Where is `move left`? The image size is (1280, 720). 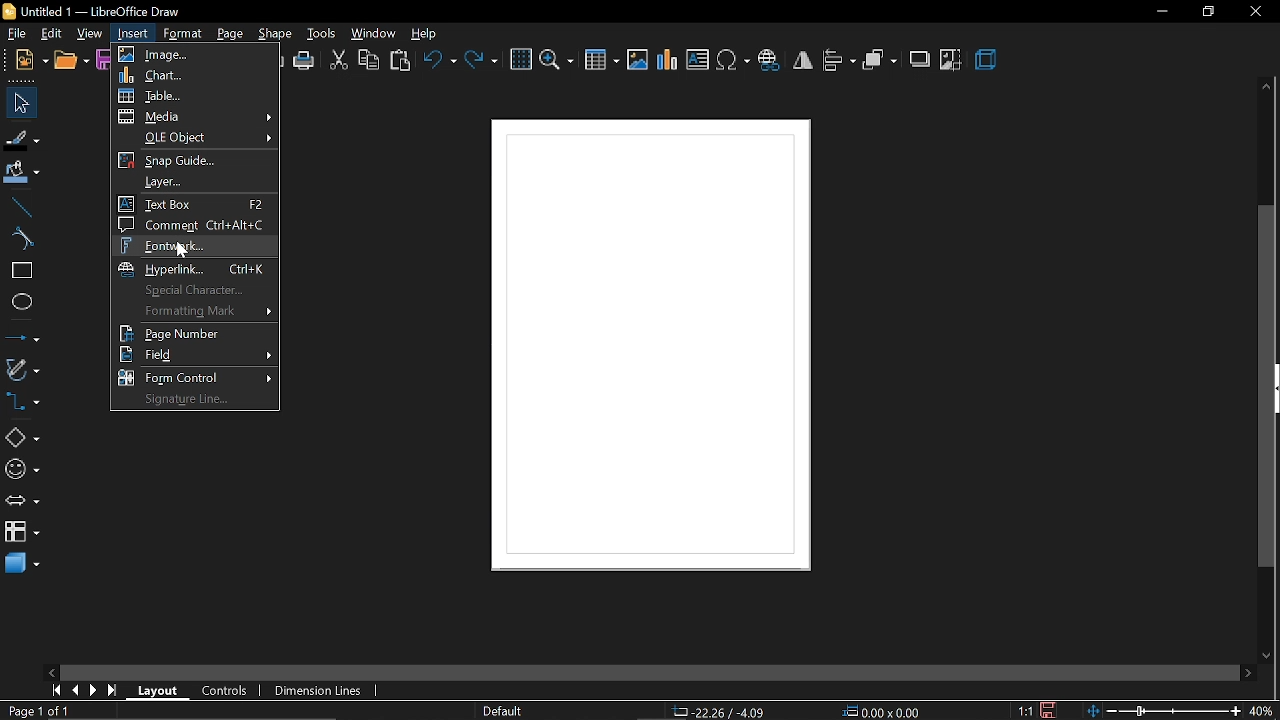
move left is located at coordinates (51, 672).